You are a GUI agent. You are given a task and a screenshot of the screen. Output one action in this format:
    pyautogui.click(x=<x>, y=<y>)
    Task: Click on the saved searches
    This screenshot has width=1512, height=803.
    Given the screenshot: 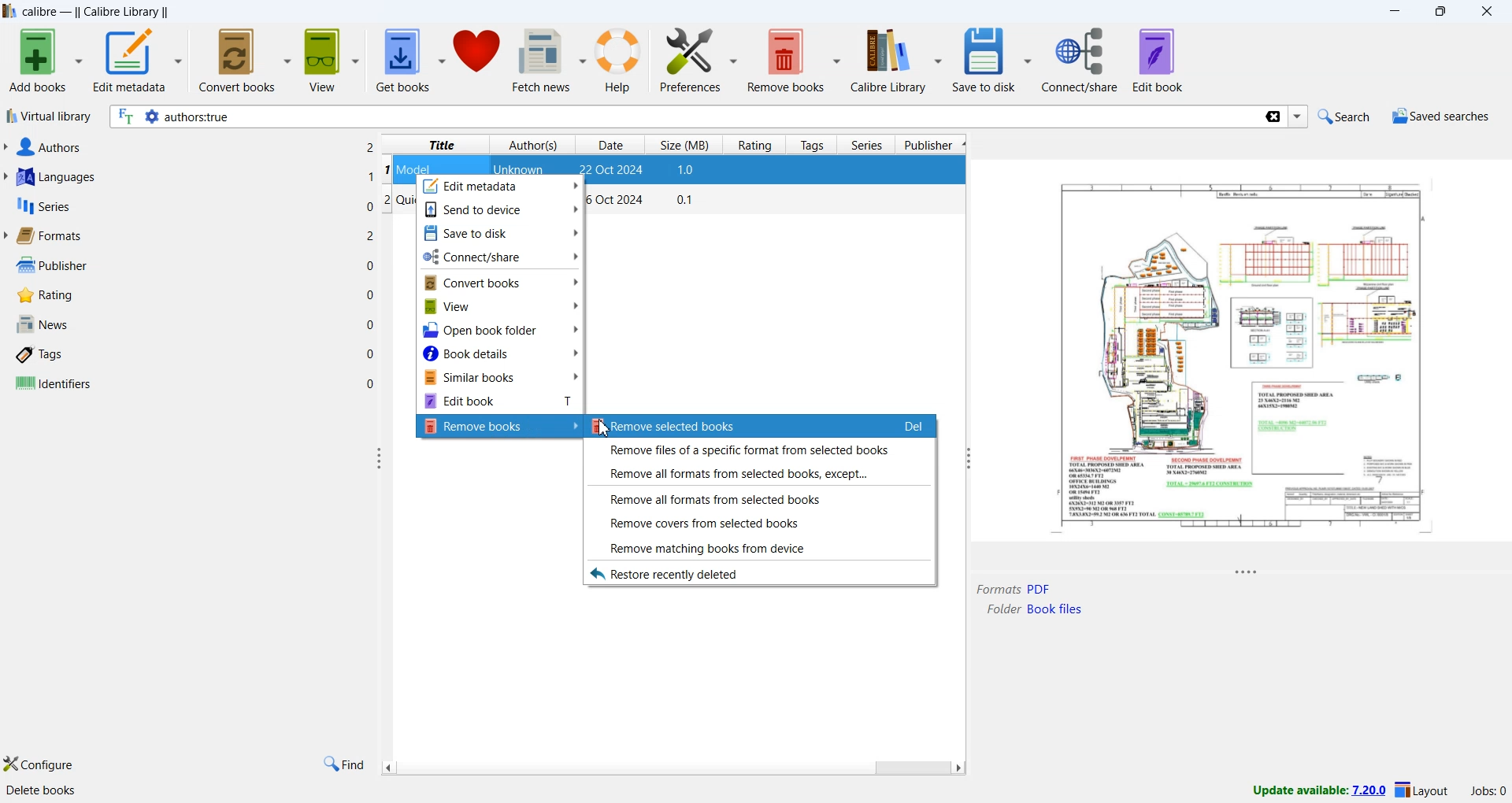 What is the action you would take?
    pyautogui.click(x=1440, y=118)
    